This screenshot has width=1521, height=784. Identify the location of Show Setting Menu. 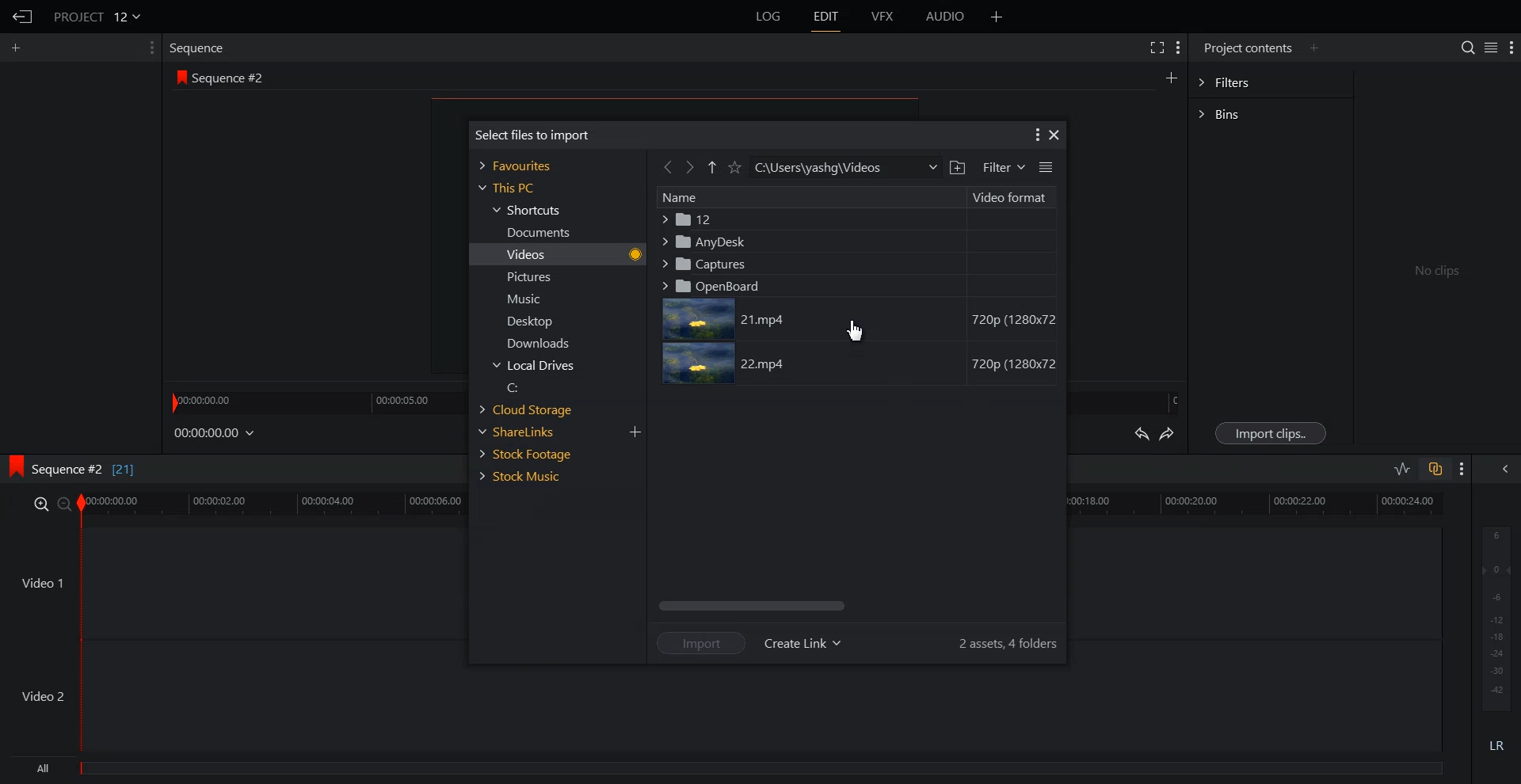
(1511, 48).